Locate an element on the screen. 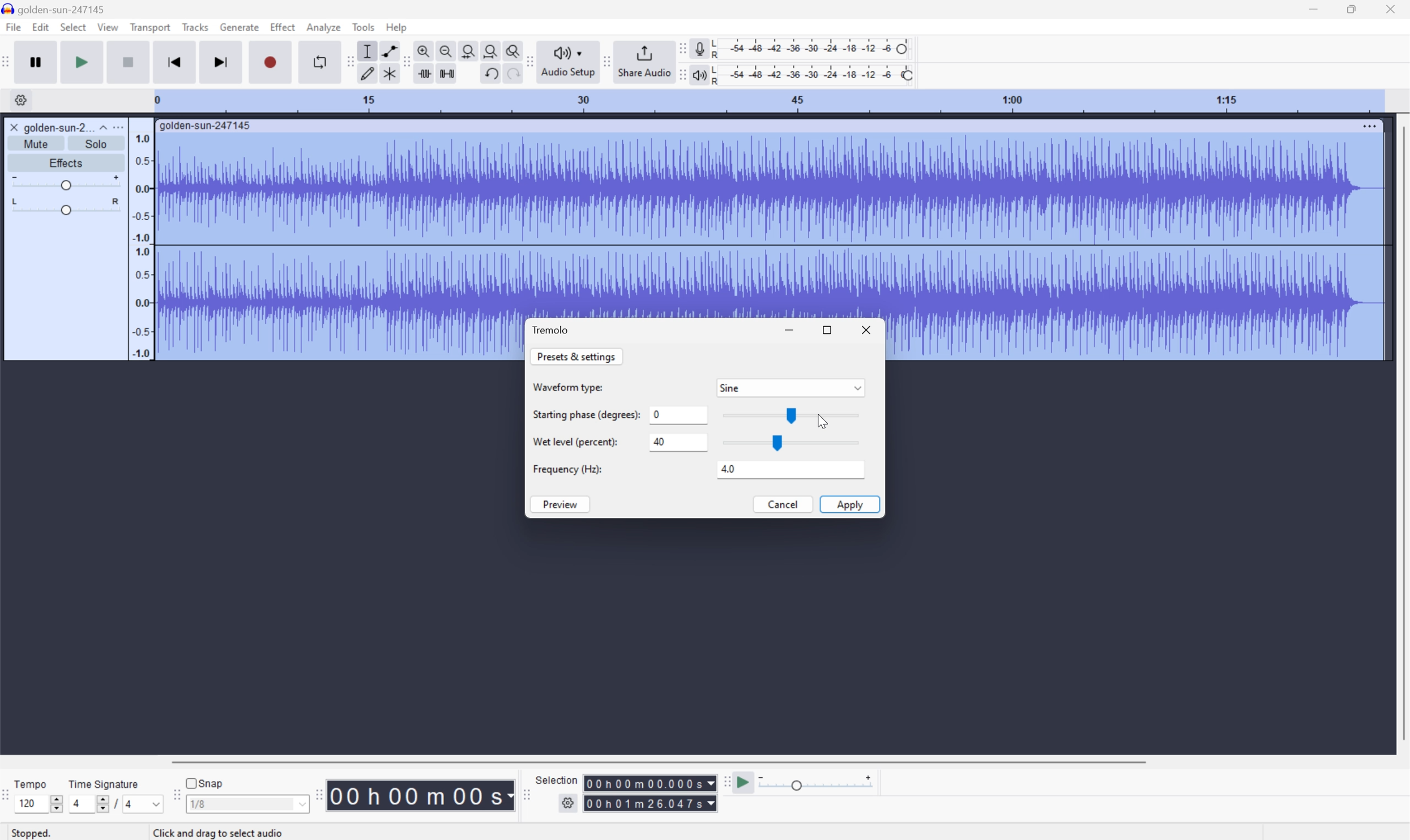  Edit is located at coordinates (40, 27).